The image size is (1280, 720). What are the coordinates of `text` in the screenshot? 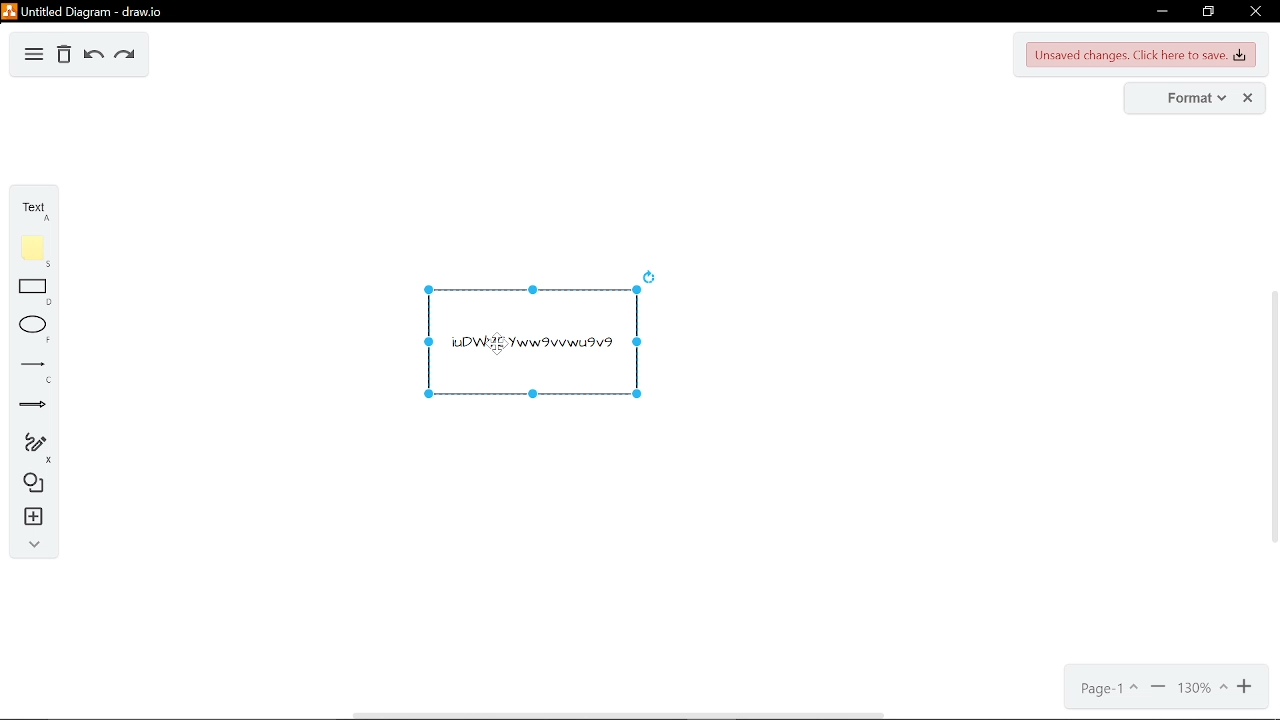 It's located at (30, 206).